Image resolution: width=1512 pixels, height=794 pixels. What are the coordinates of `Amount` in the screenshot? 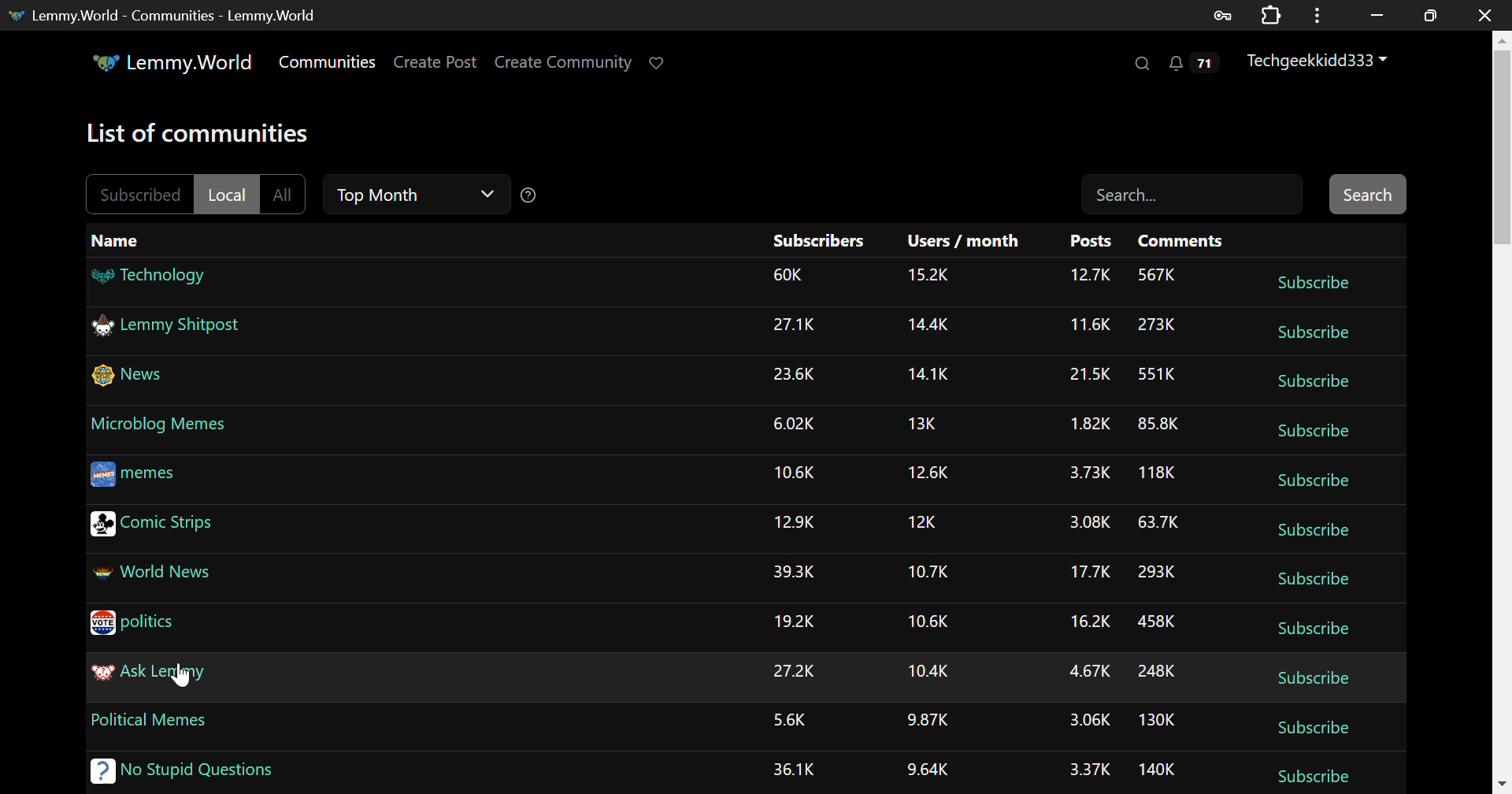 It's located at (1158, 425).